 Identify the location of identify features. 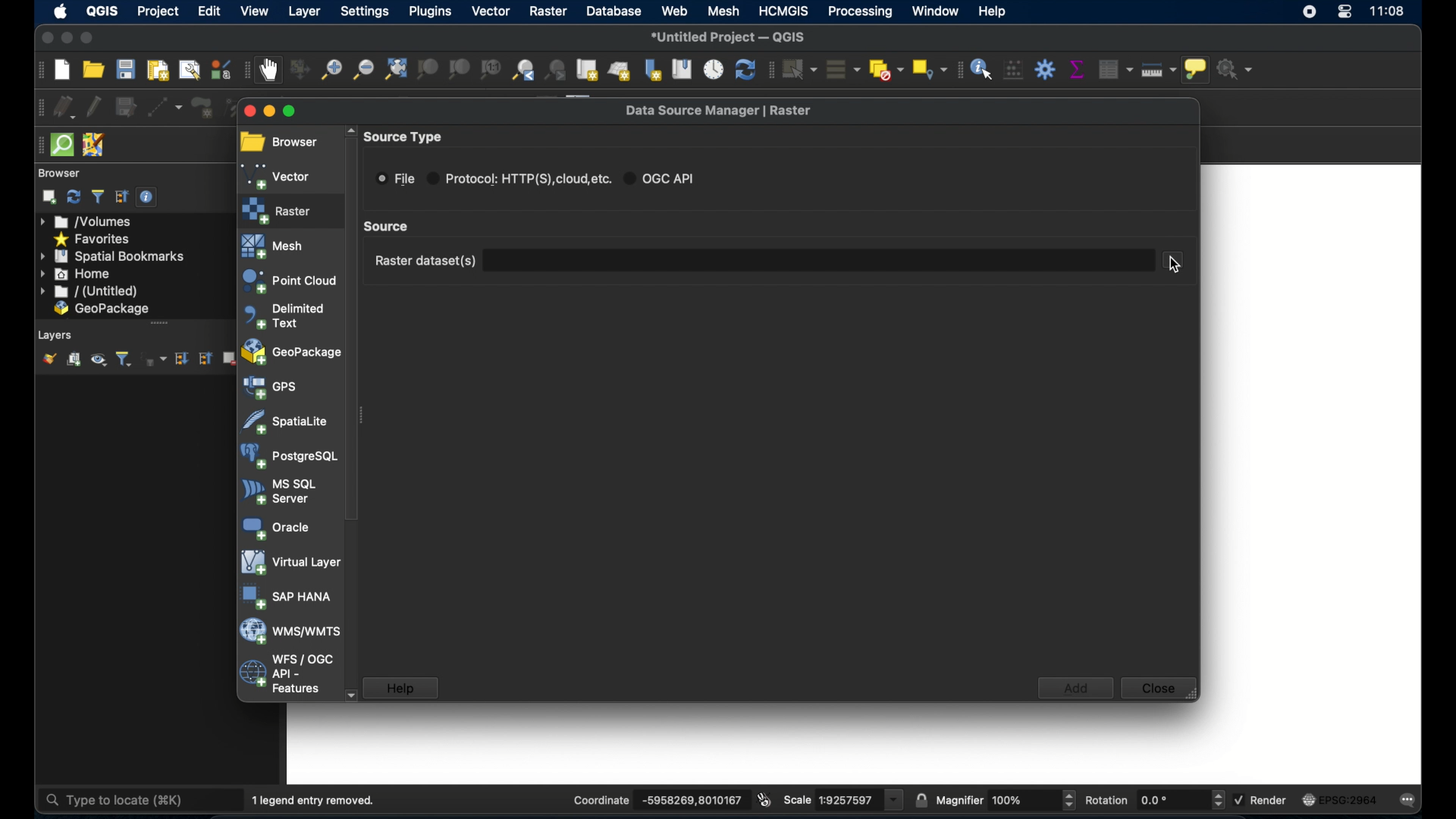
(982, 68).